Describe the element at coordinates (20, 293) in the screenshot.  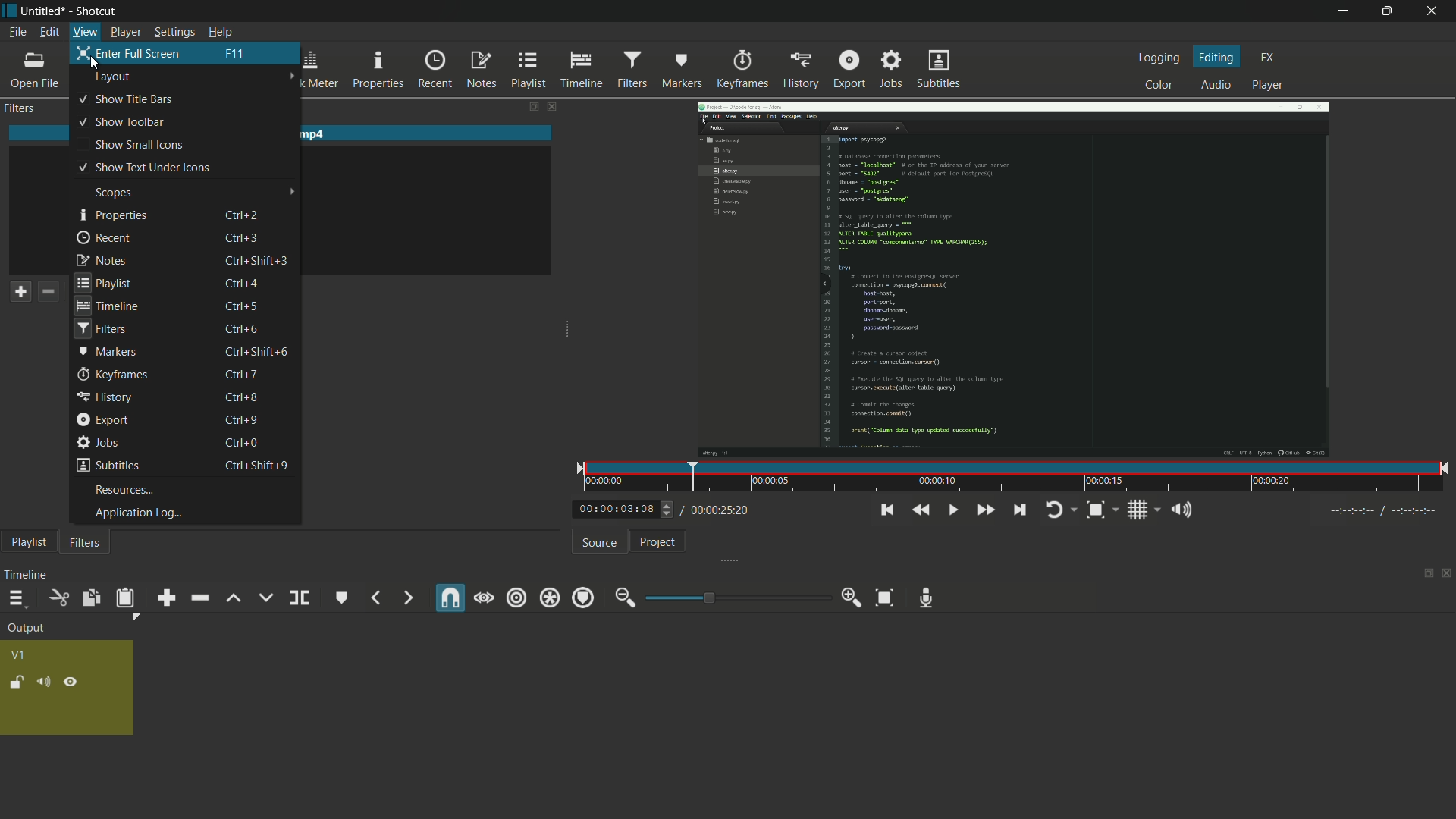
I see `add filter` at that location.